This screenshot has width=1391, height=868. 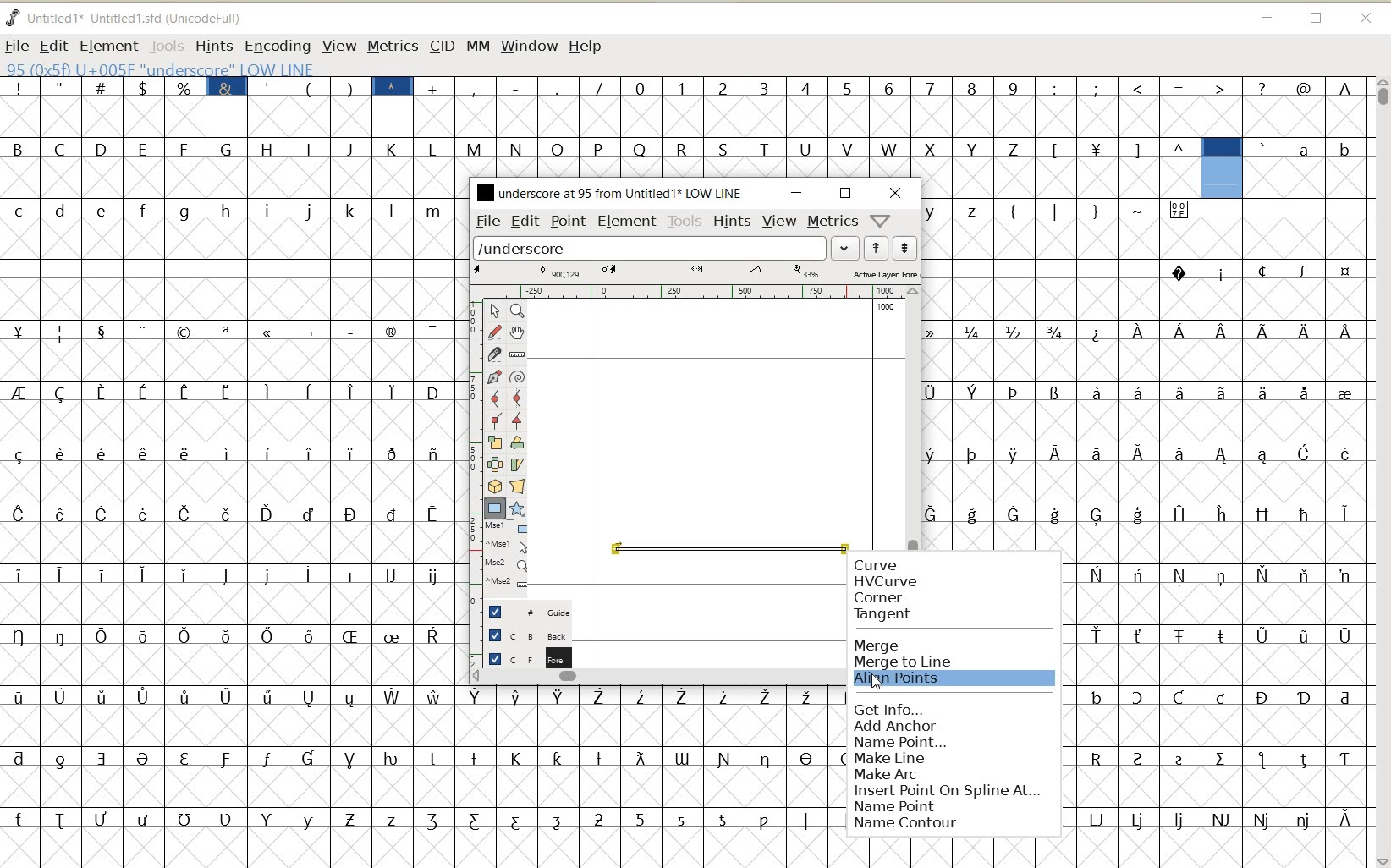 What do you see at coordinates (518, 397) in the screenshot?
I see `add a curve point always either horizontal or vertical` at bounding box center [518, 397].